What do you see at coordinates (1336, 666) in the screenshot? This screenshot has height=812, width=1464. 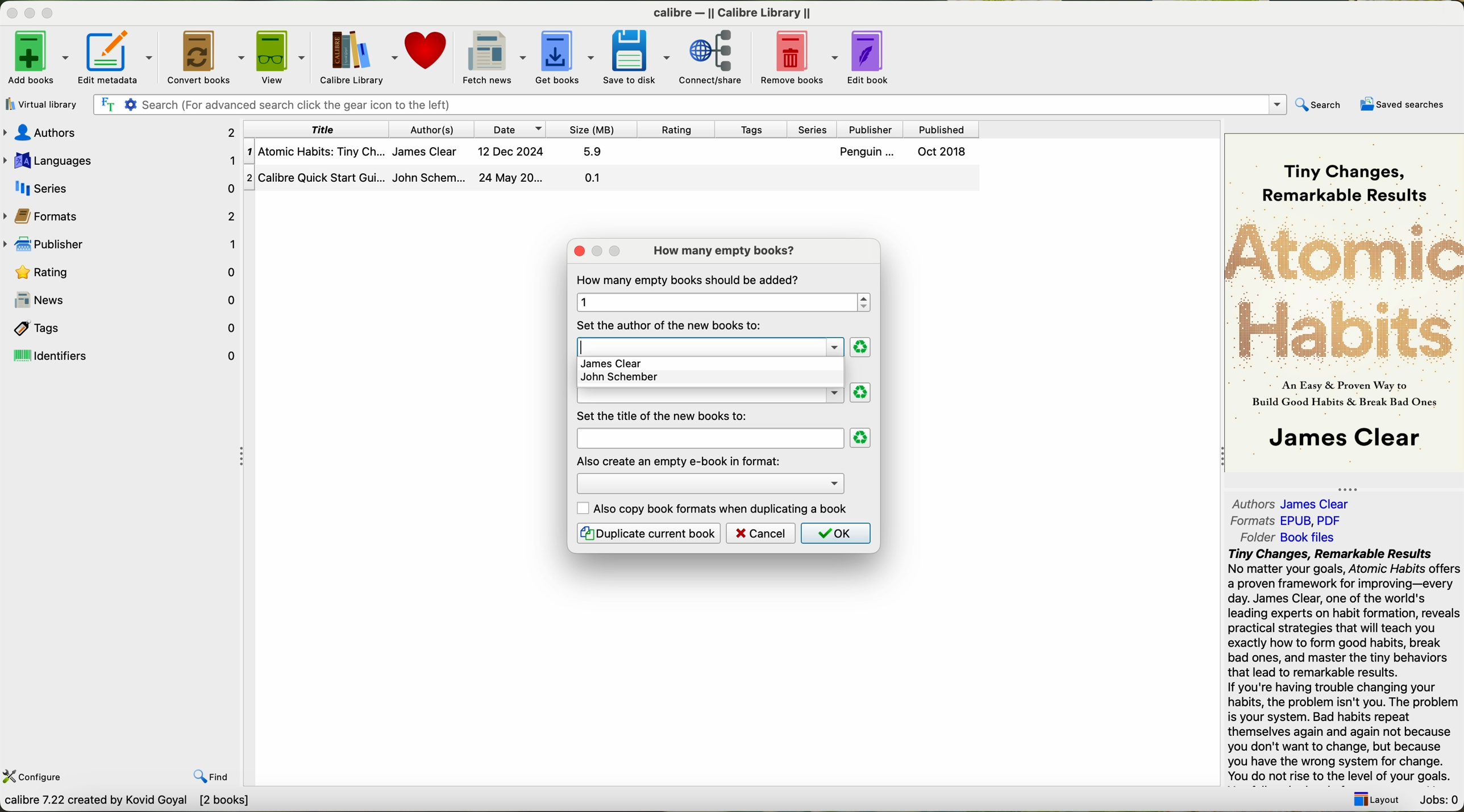 I see `try changes remarkable results no matter your goals ,Atomic Habits offers a proven framework for improvity every day ,James Clear one of the word's leading expert on habit formation reveals practice startegies that will teach you howto form break bad ones and improve tiny beahbviors turn in ramarkable results.you do not rise to the level of your goals.` at bounding box center [1336, 666].